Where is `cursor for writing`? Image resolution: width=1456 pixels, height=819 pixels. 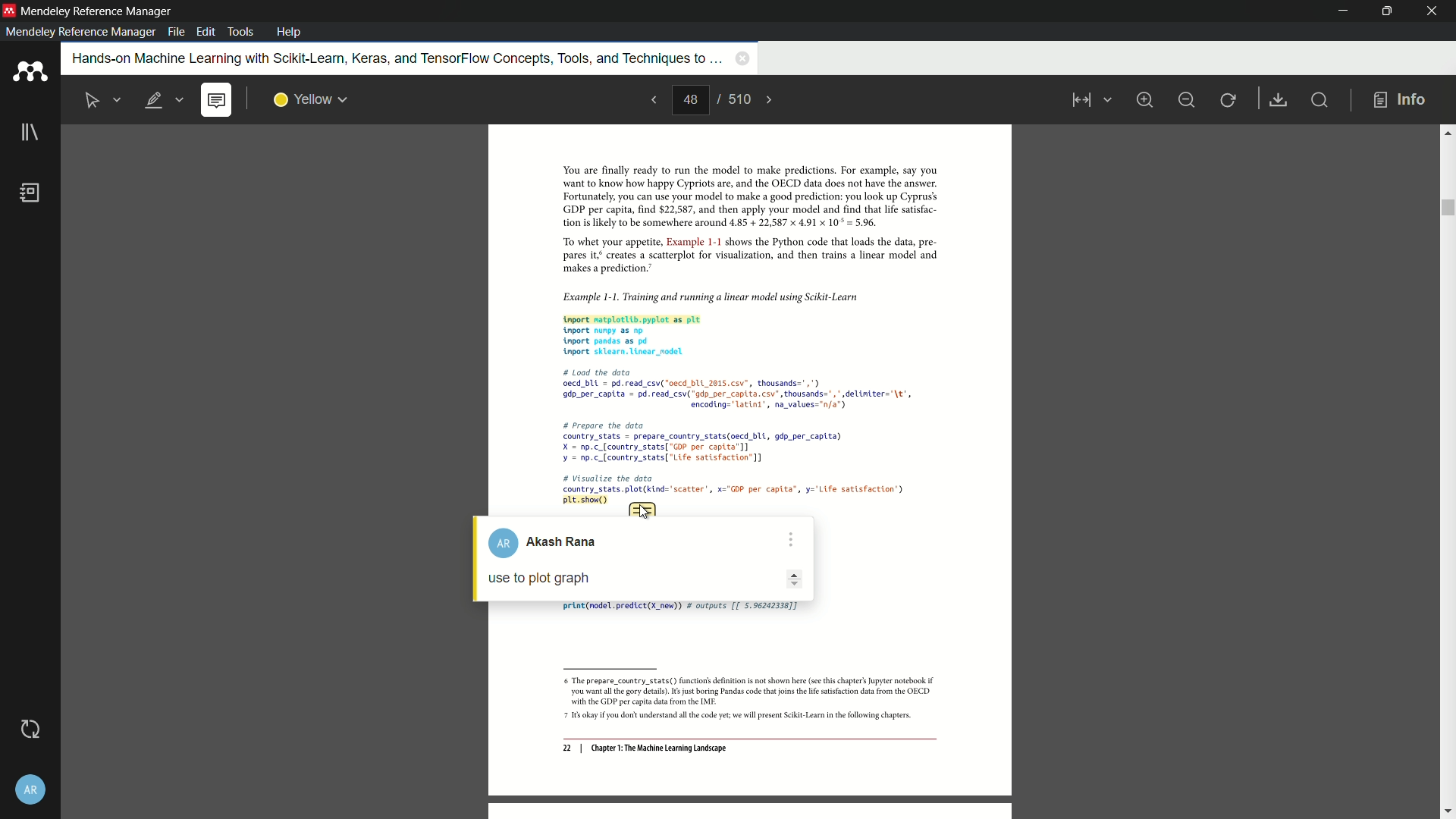 cursor for writing is located at coordinates (642, 579).